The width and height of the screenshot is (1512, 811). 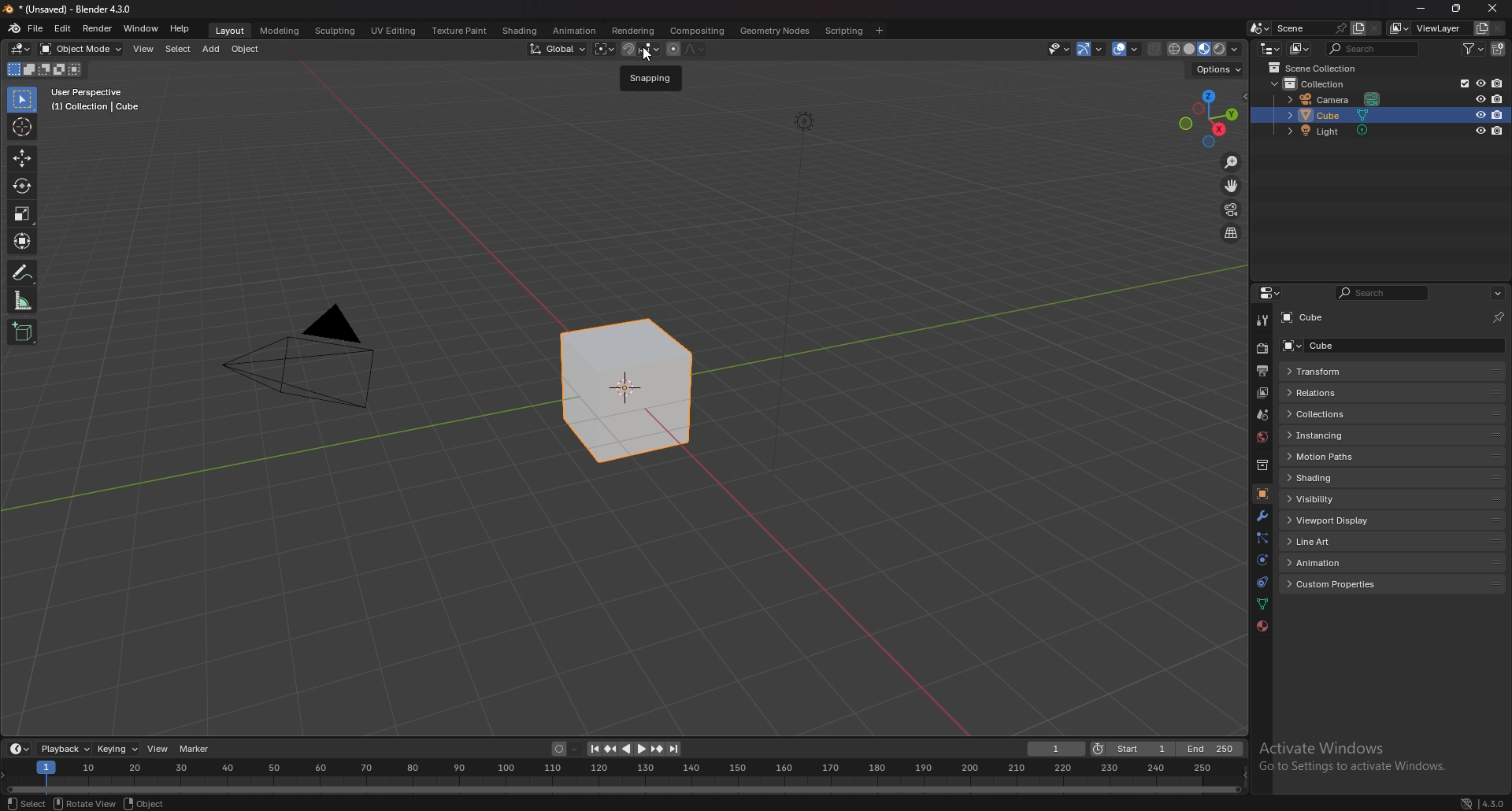 What do you see at coordinates (1497, 293) in the screenshot?
I see `options` at bounding box center [1497, 293].